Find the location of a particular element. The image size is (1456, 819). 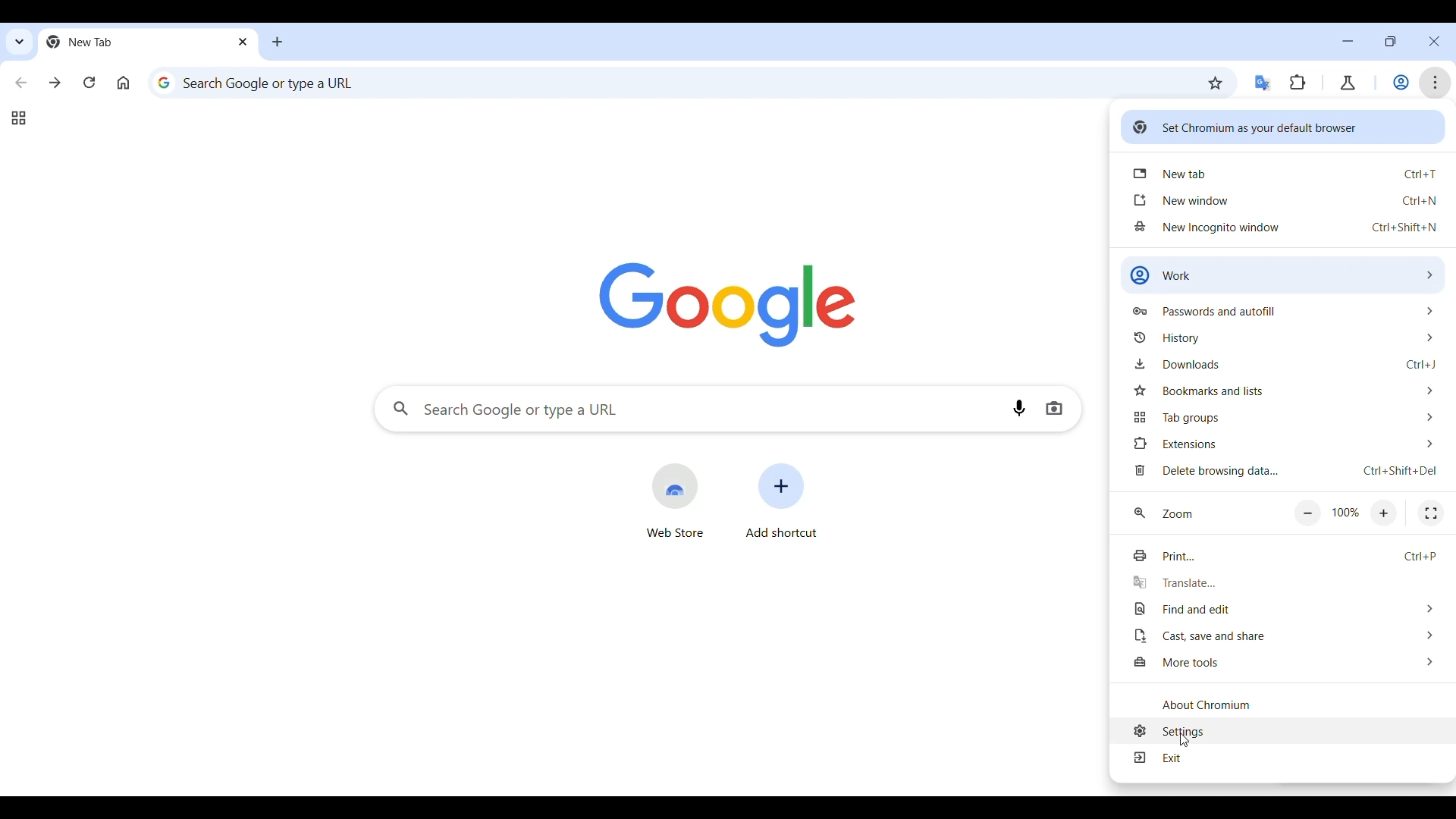

Chrome labs is located at coordinates (1348, 83).